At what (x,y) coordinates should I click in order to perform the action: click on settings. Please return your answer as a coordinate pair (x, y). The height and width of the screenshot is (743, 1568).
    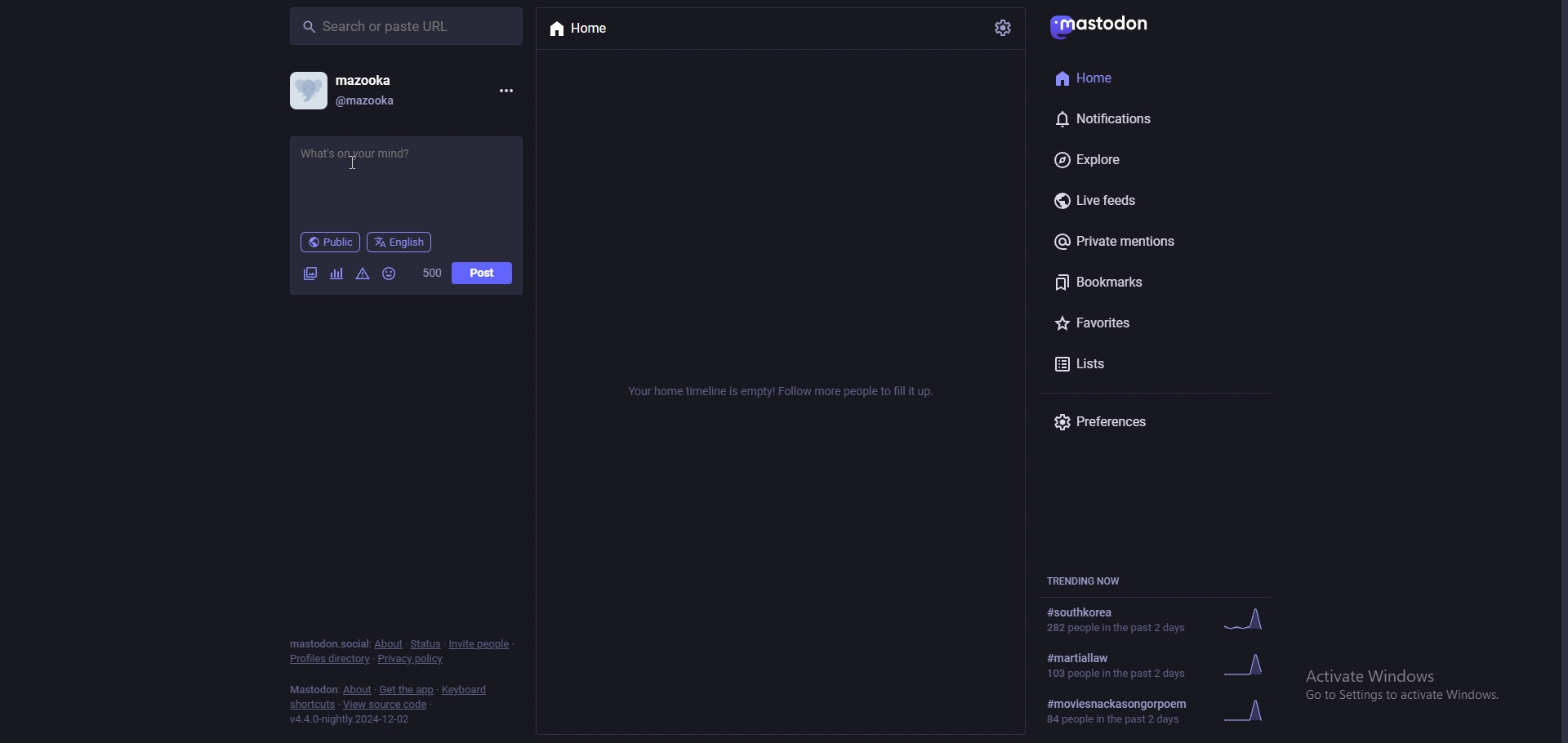
    Looking at the image, I should click on (1003, 27).